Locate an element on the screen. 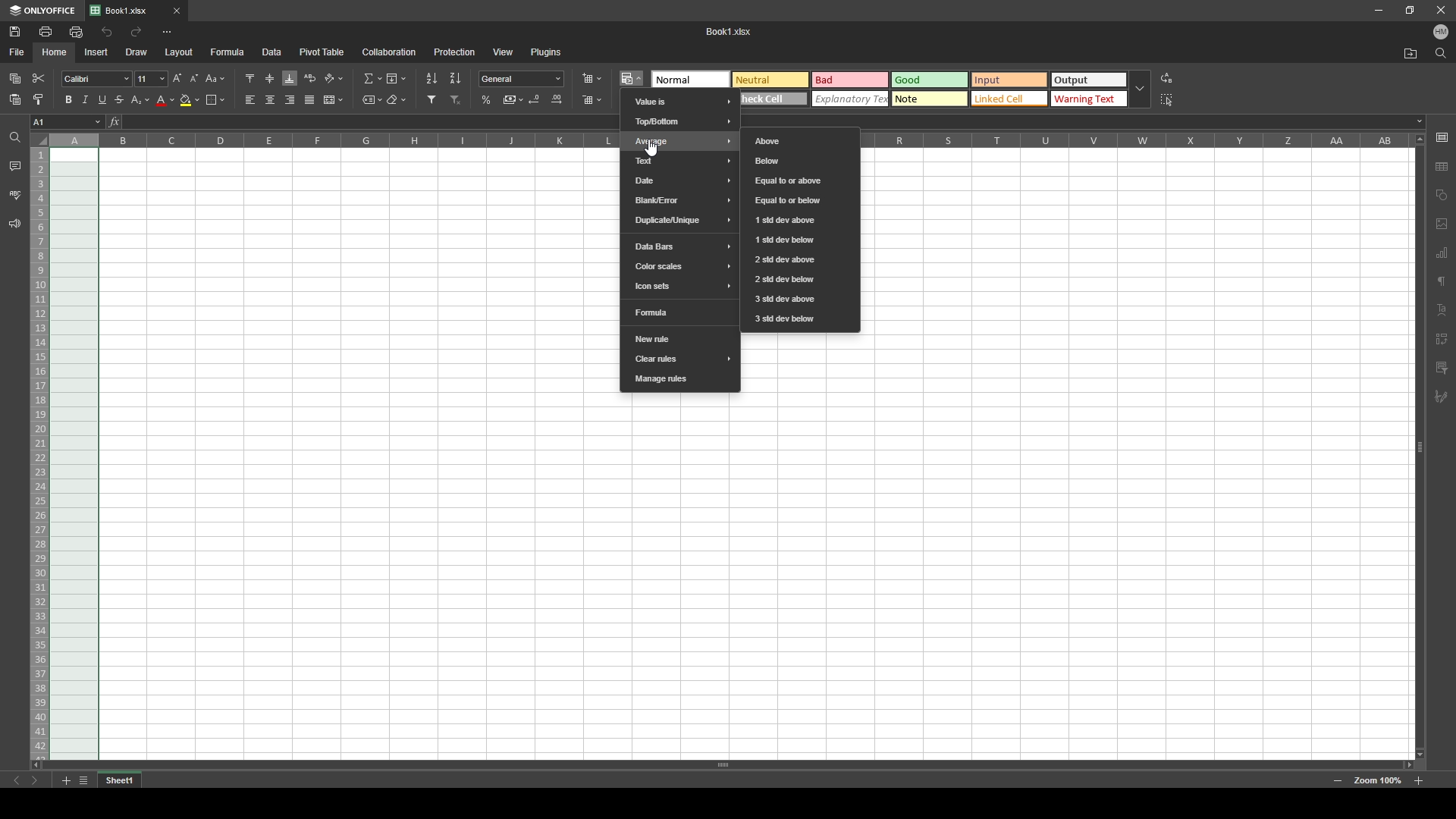 The image size is (1456, 819). selected rows is located at coordinates (38, 454).